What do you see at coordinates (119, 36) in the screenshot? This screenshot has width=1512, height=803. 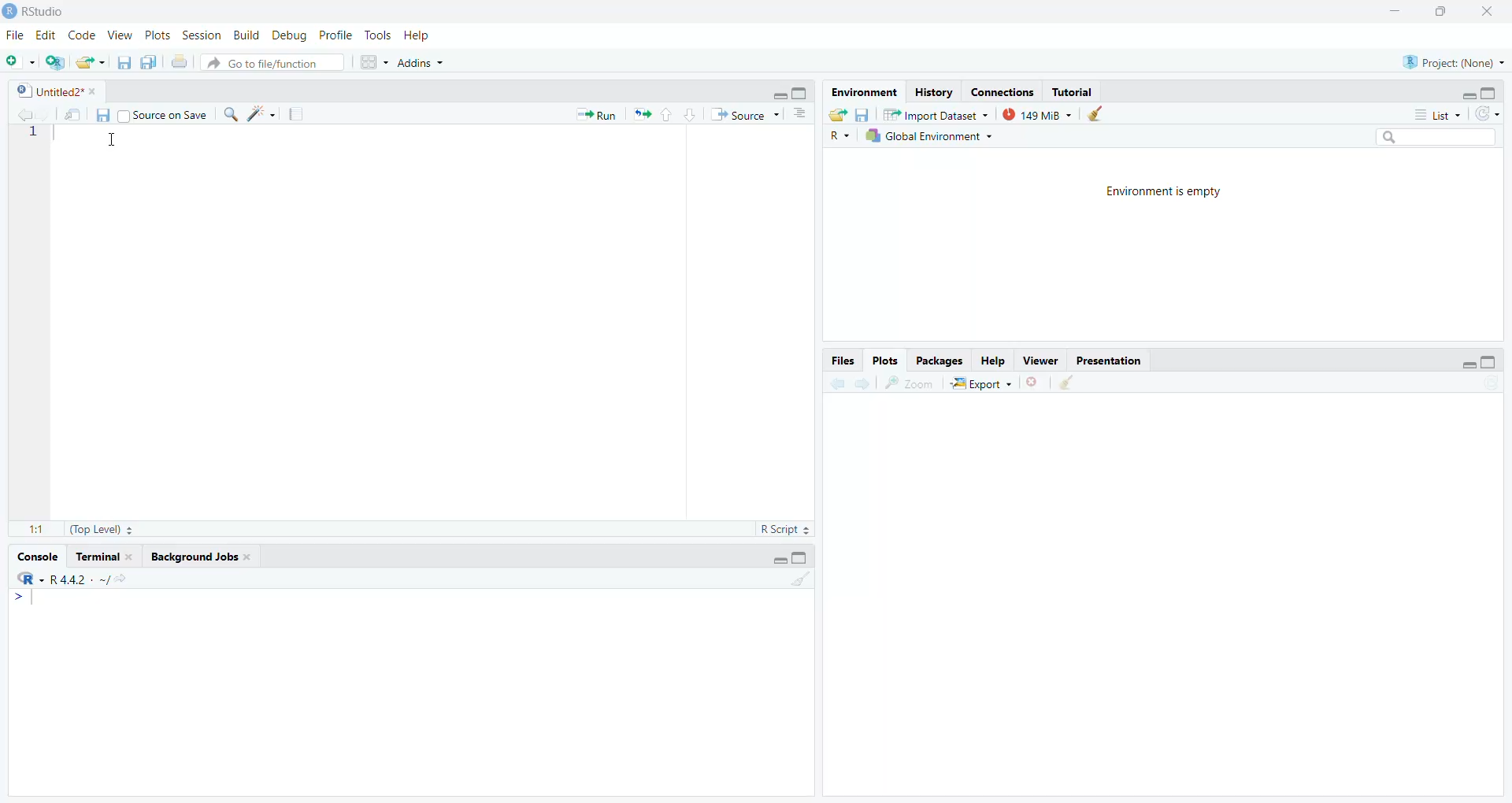 I see `View` at bounding box center [119, 36].